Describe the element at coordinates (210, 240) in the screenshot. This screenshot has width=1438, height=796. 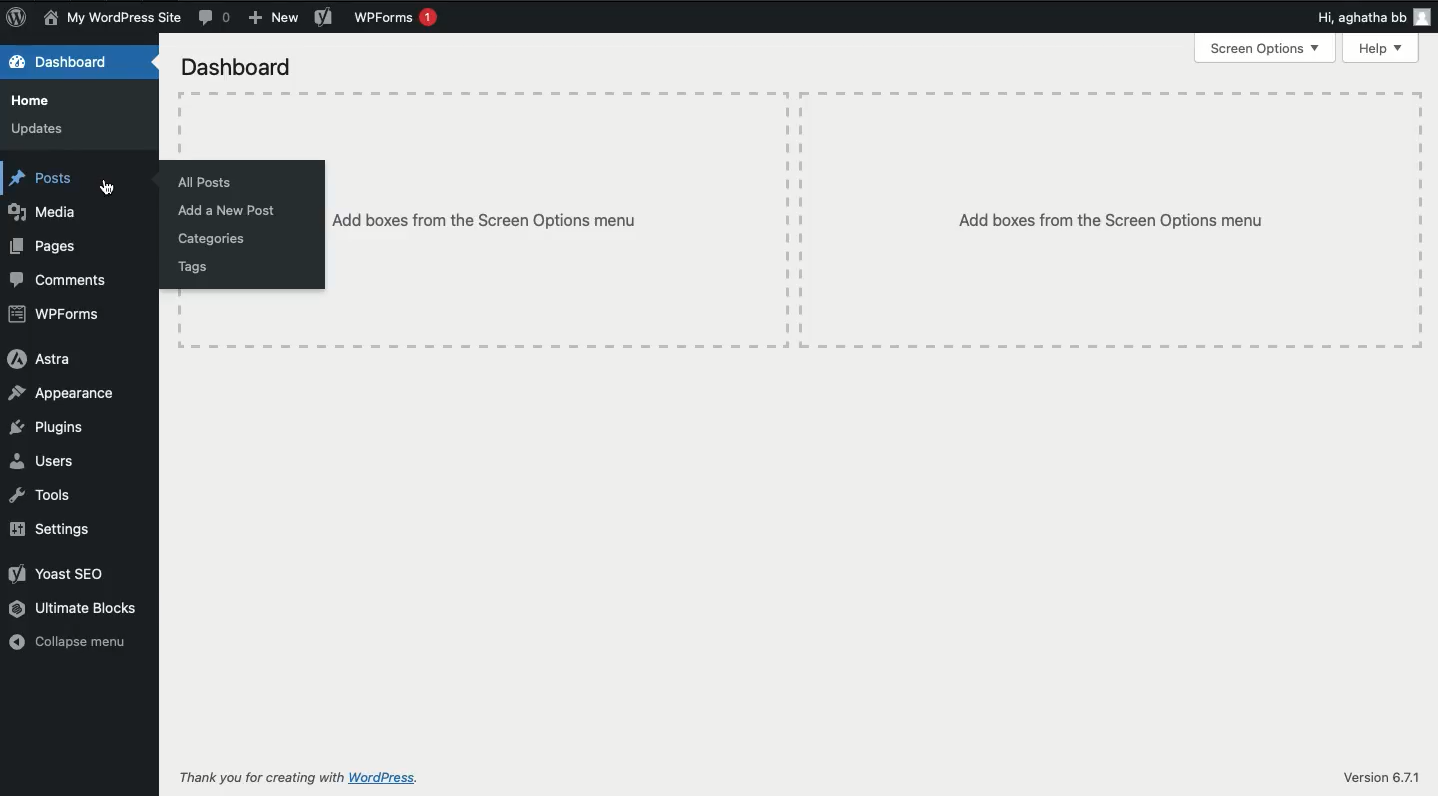
I see `Categories` at that location.